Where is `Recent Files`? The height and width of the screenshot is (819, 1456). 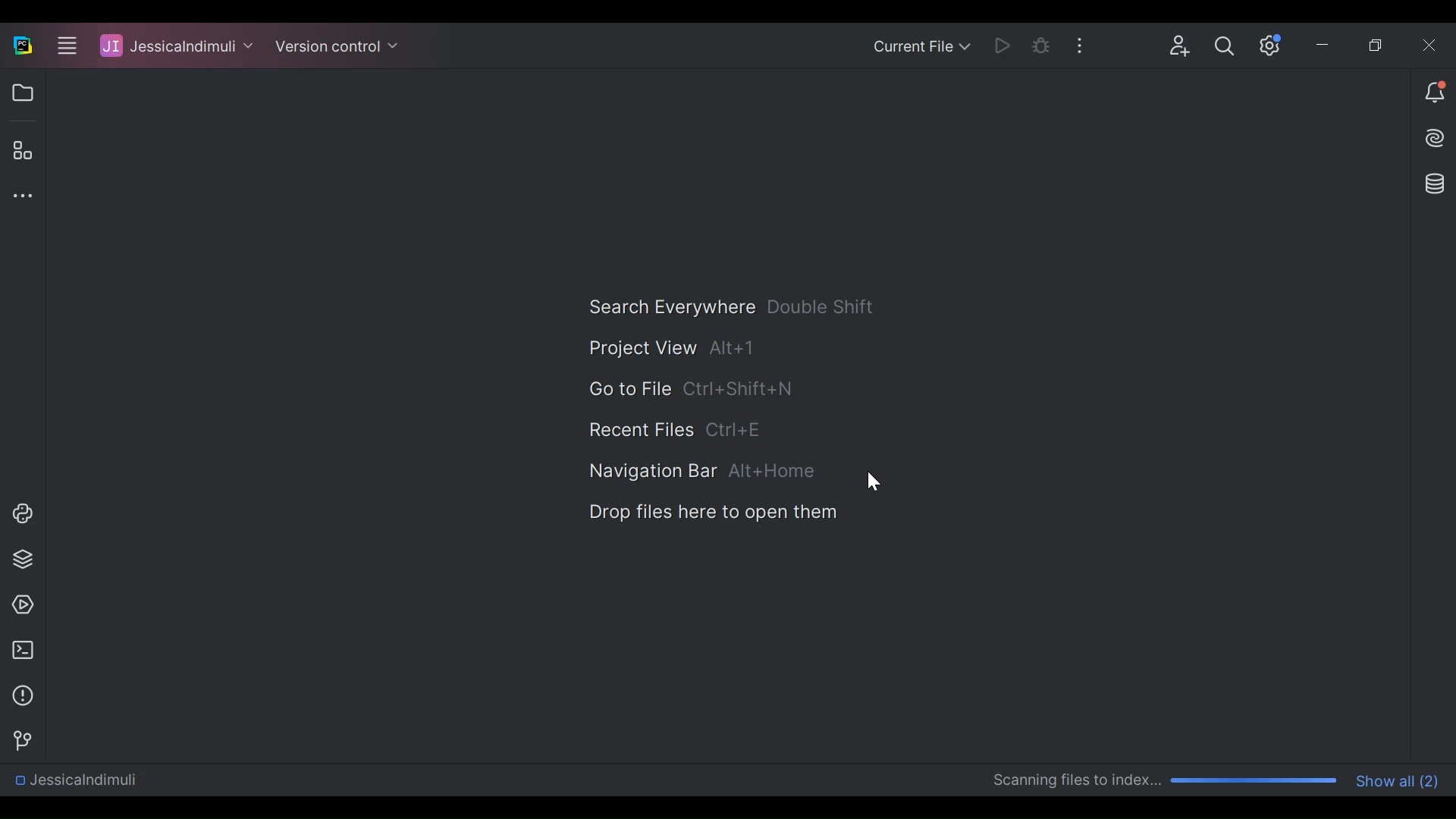
Recent Files is located at coordinates (676, 428).